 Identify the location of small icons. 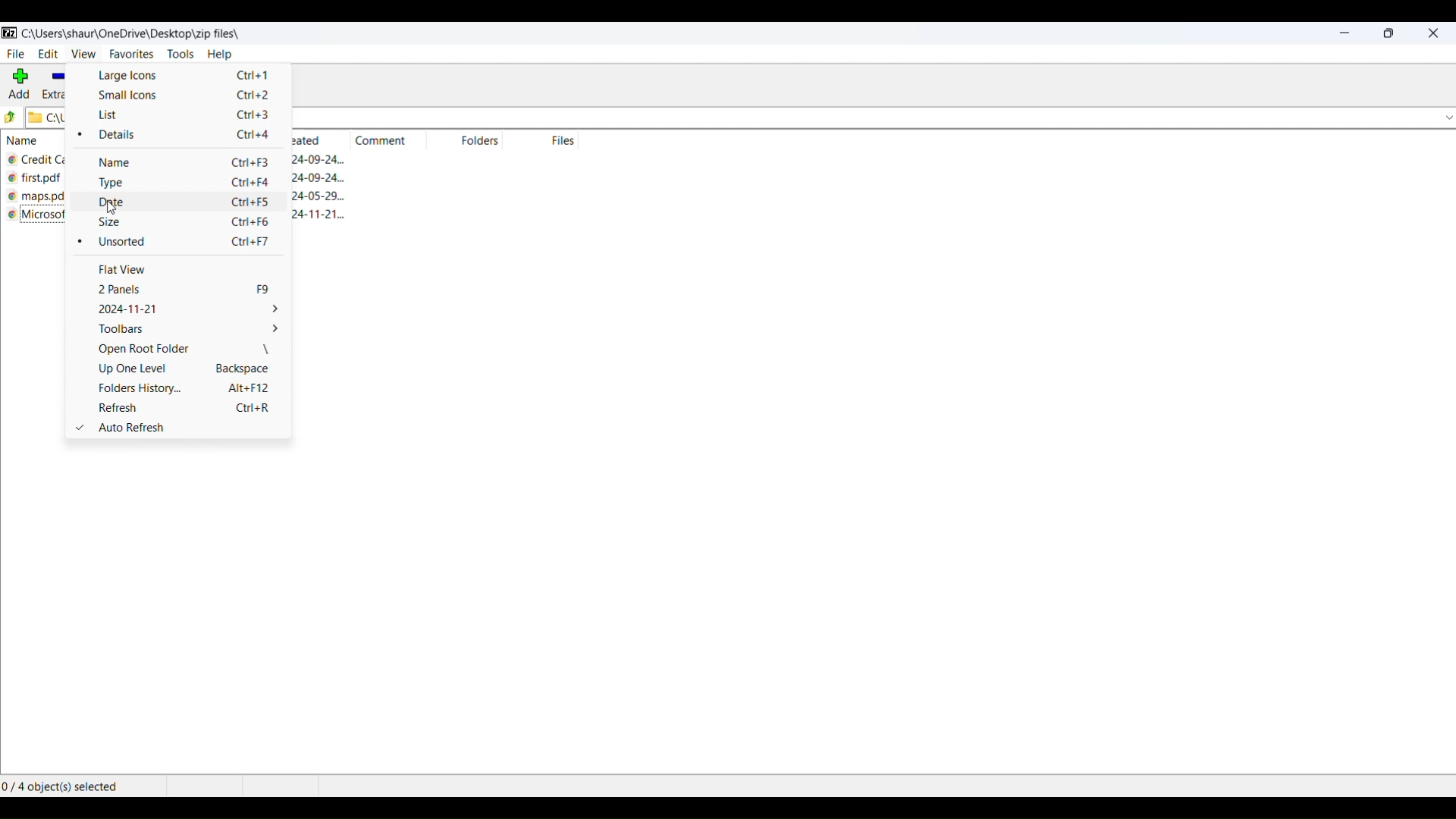
(185, 96).